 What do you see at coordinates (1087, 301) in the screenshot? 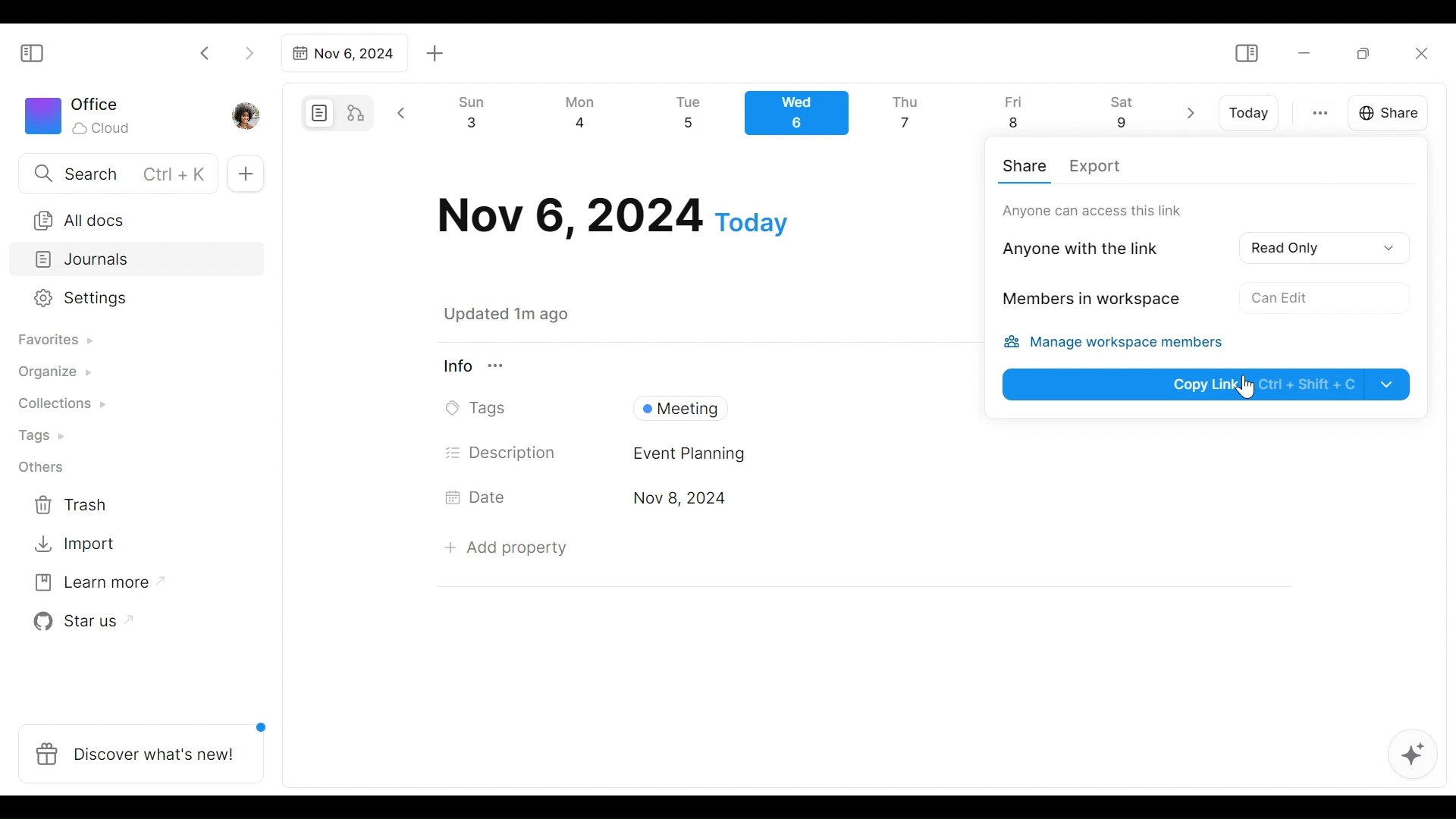
I see `Members in workspace` at bounding box center [1087, 301].